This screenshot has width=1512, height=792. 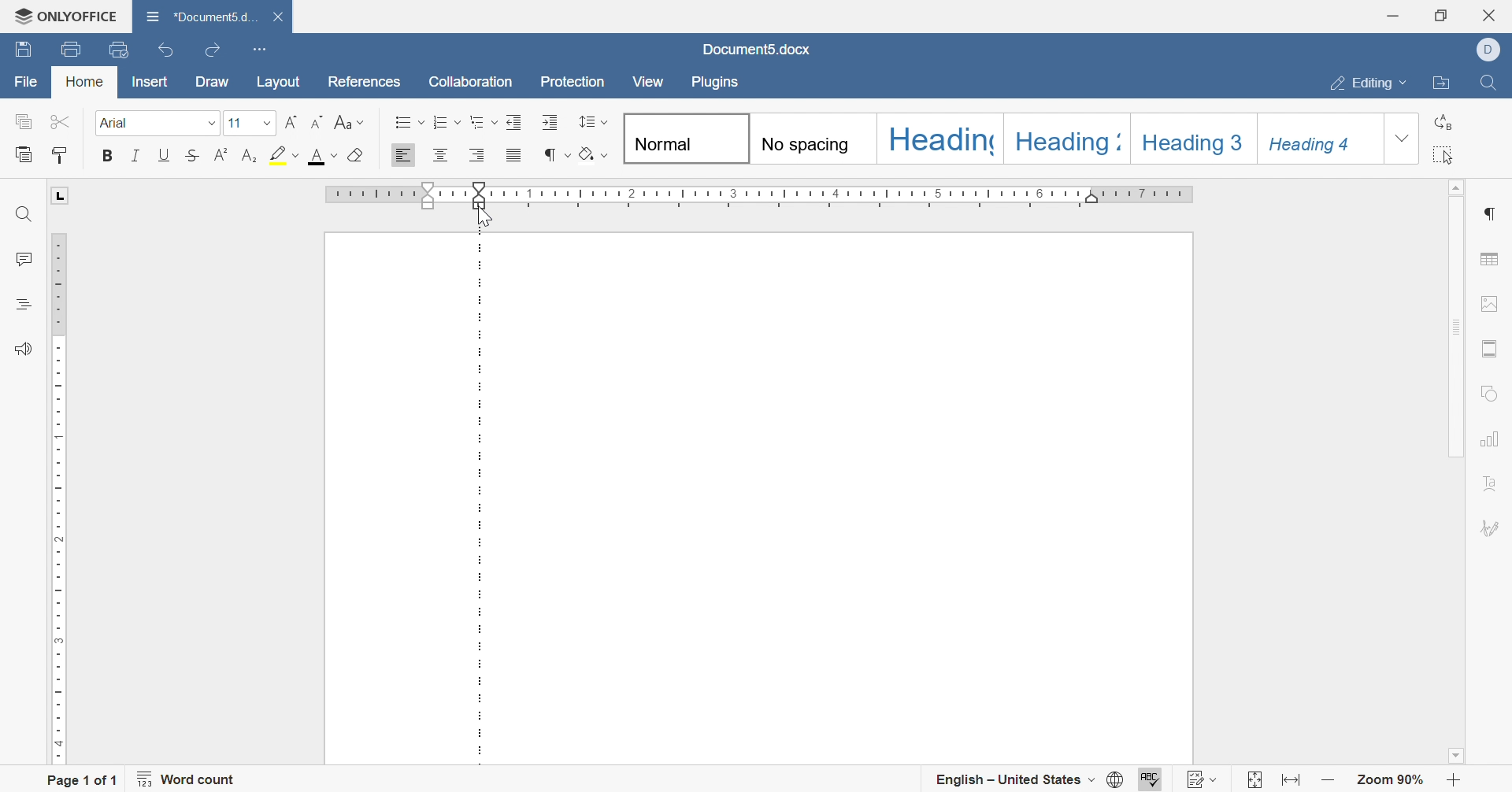 I want to click on quick print, so click(x=120, y=47).